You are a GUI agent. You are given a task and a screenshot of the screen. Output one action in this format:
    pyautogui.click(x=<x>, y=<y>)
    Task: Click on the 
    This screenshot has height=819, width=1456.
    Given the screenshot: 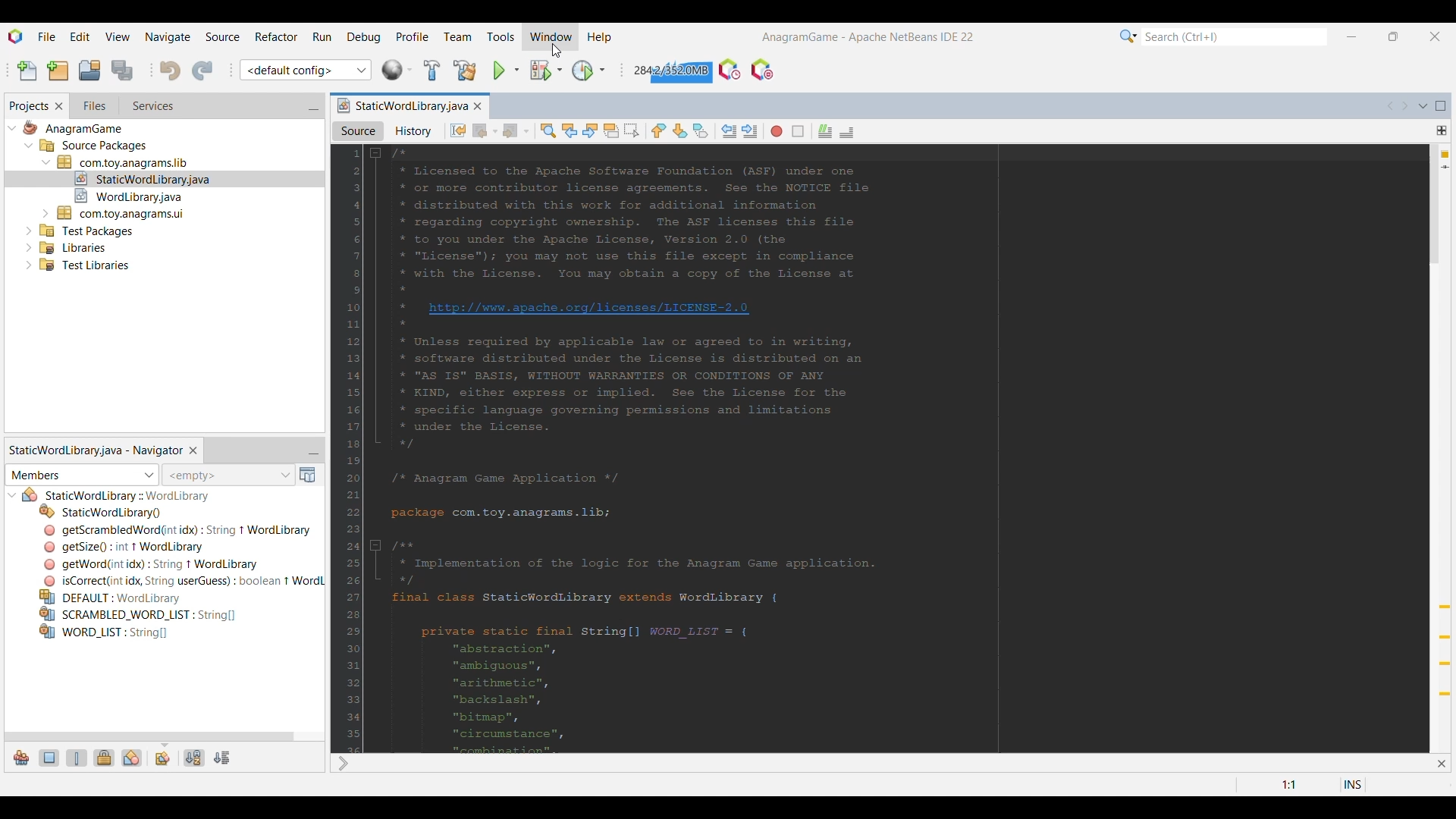 What is the action you would take?
    pyautogui.click(x=505, y=475)
    